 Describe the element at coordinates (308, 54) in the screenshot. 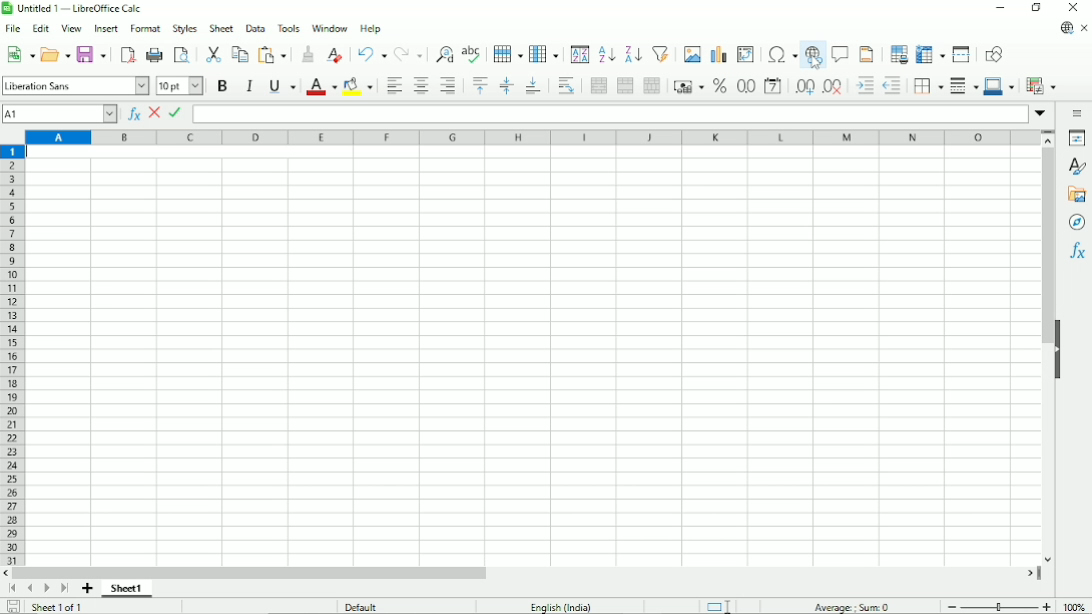

I see `Clone formatting` at that location.